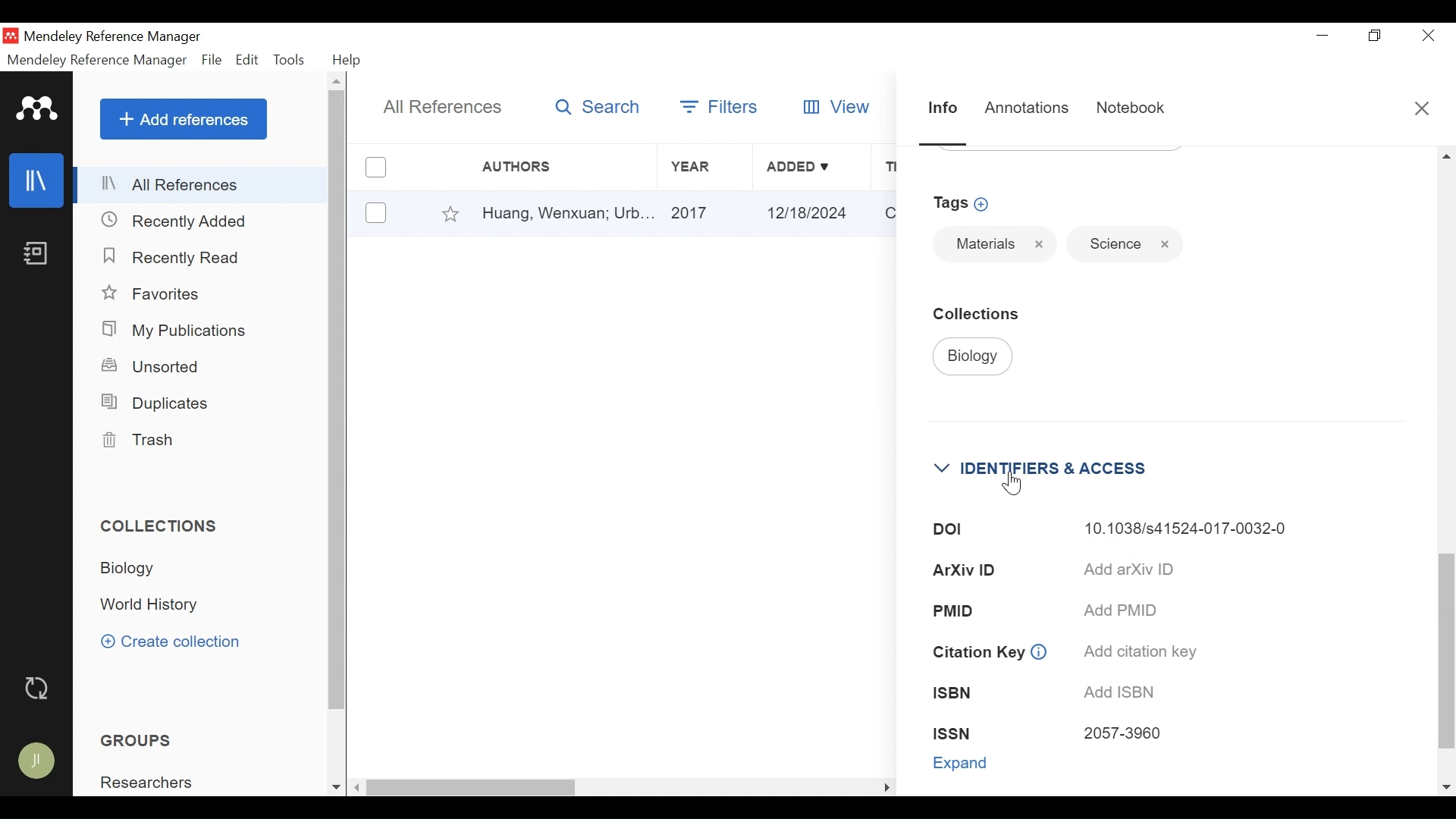  Describe the element at coordinates (97, 61) in the screenshot. I see `Mendeley Reference Manager` at that location.